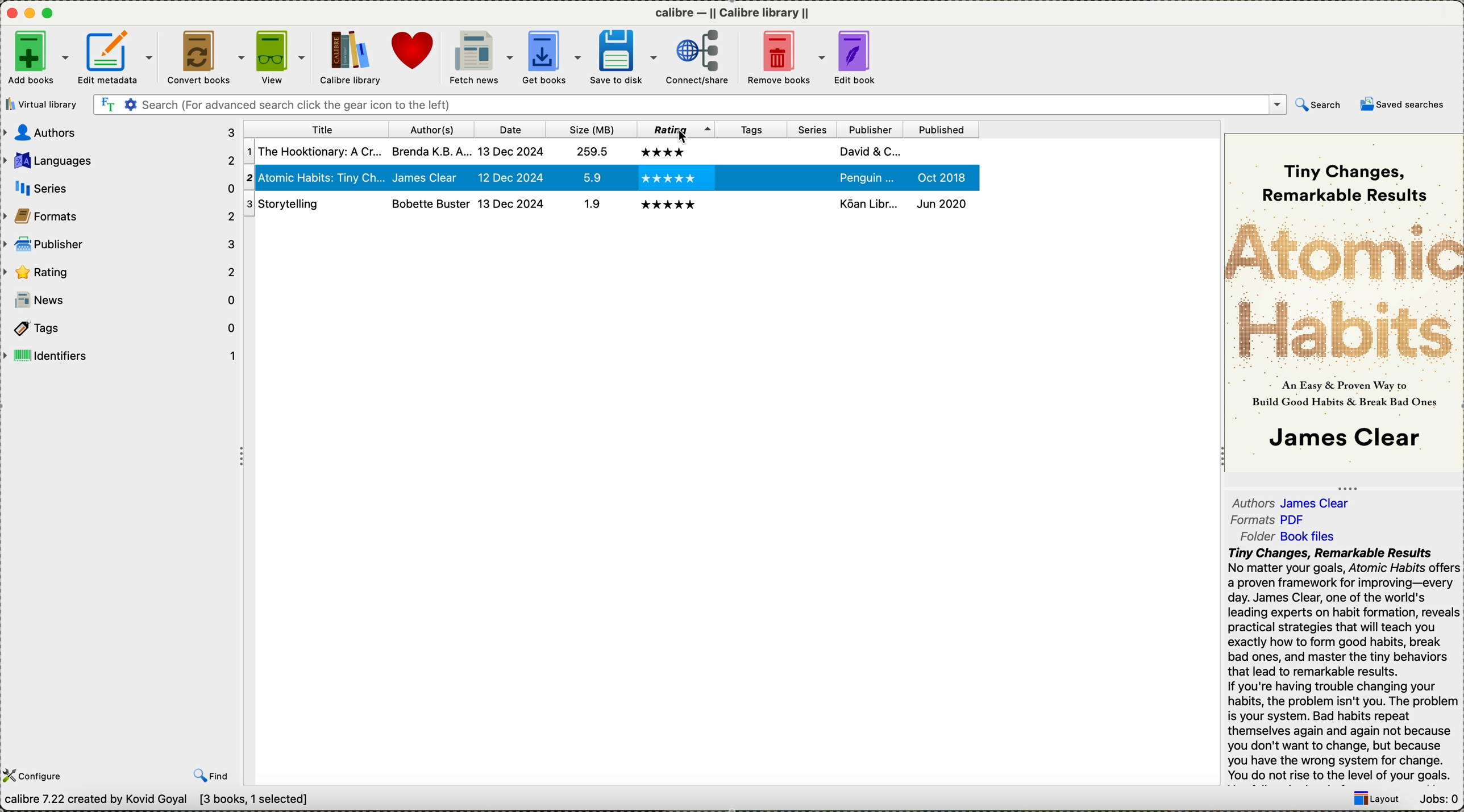 The width and height of the screenshot is (1464, 812). What do you see at coordinates (41, 104) in the screenshot?
I see `virtual library` at bounding box center [41, 104].